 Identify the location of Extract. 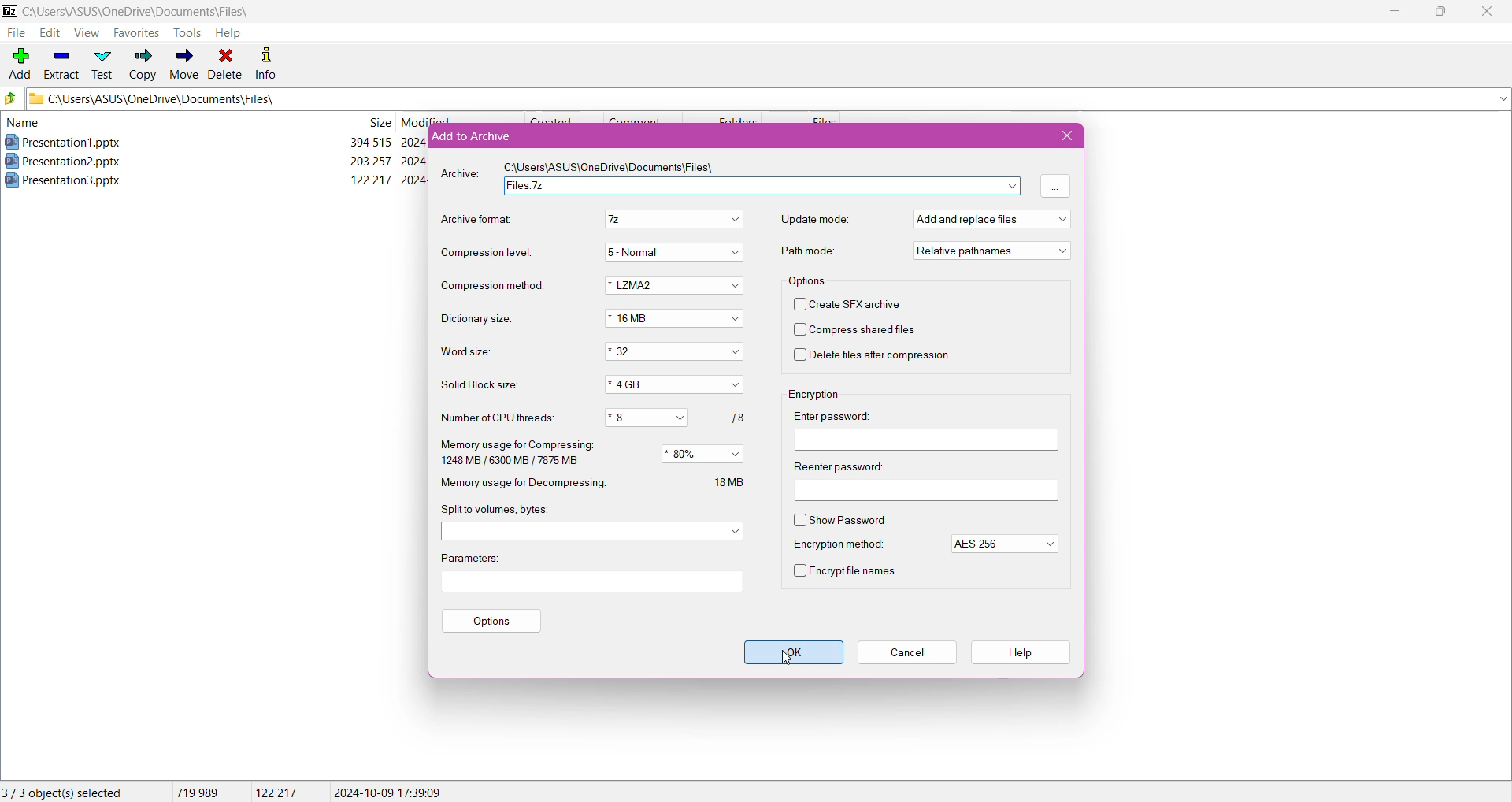
(61, 61).